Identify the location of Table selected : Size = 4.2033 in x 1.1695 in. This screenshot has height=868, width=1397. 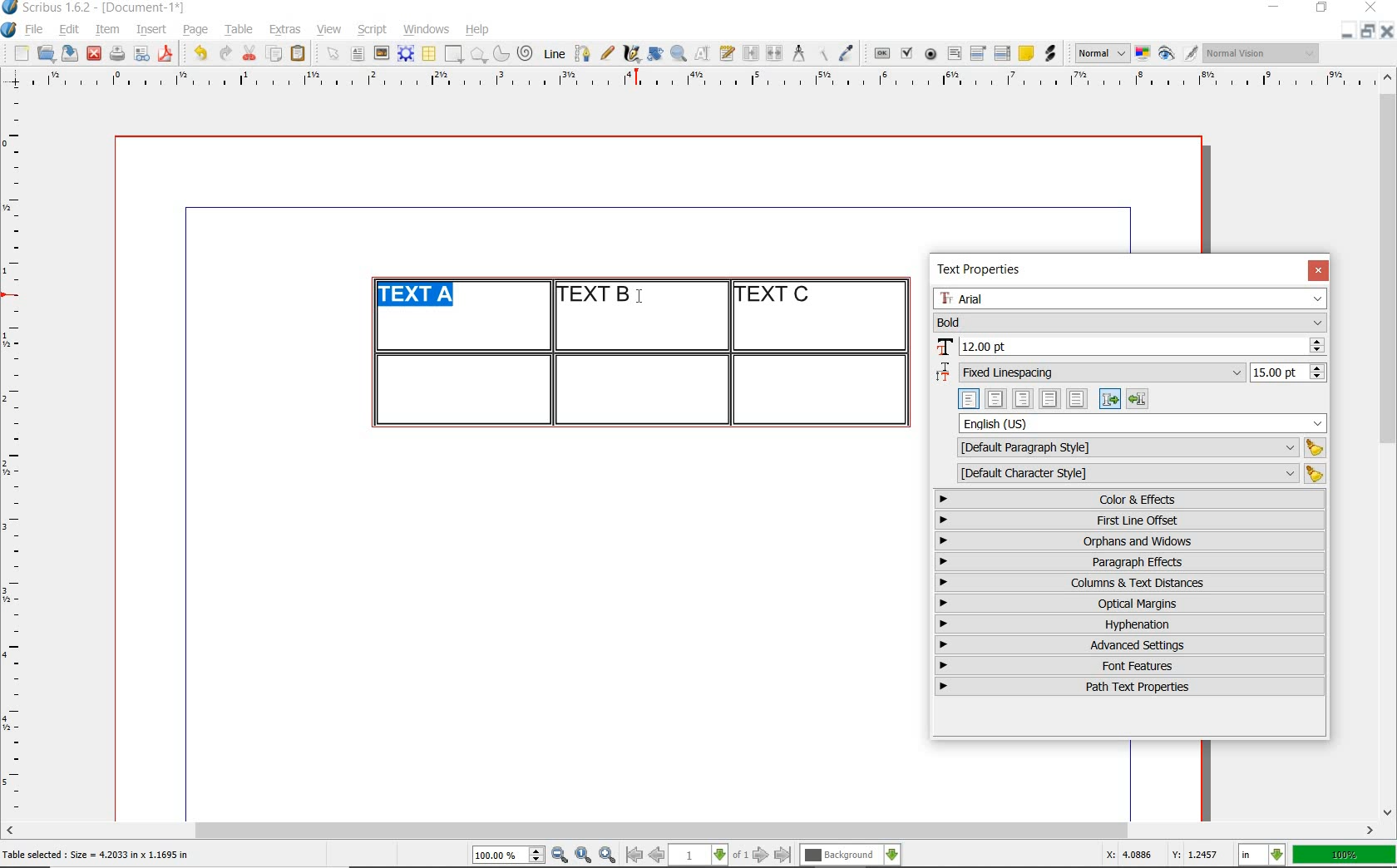
(96, 854).